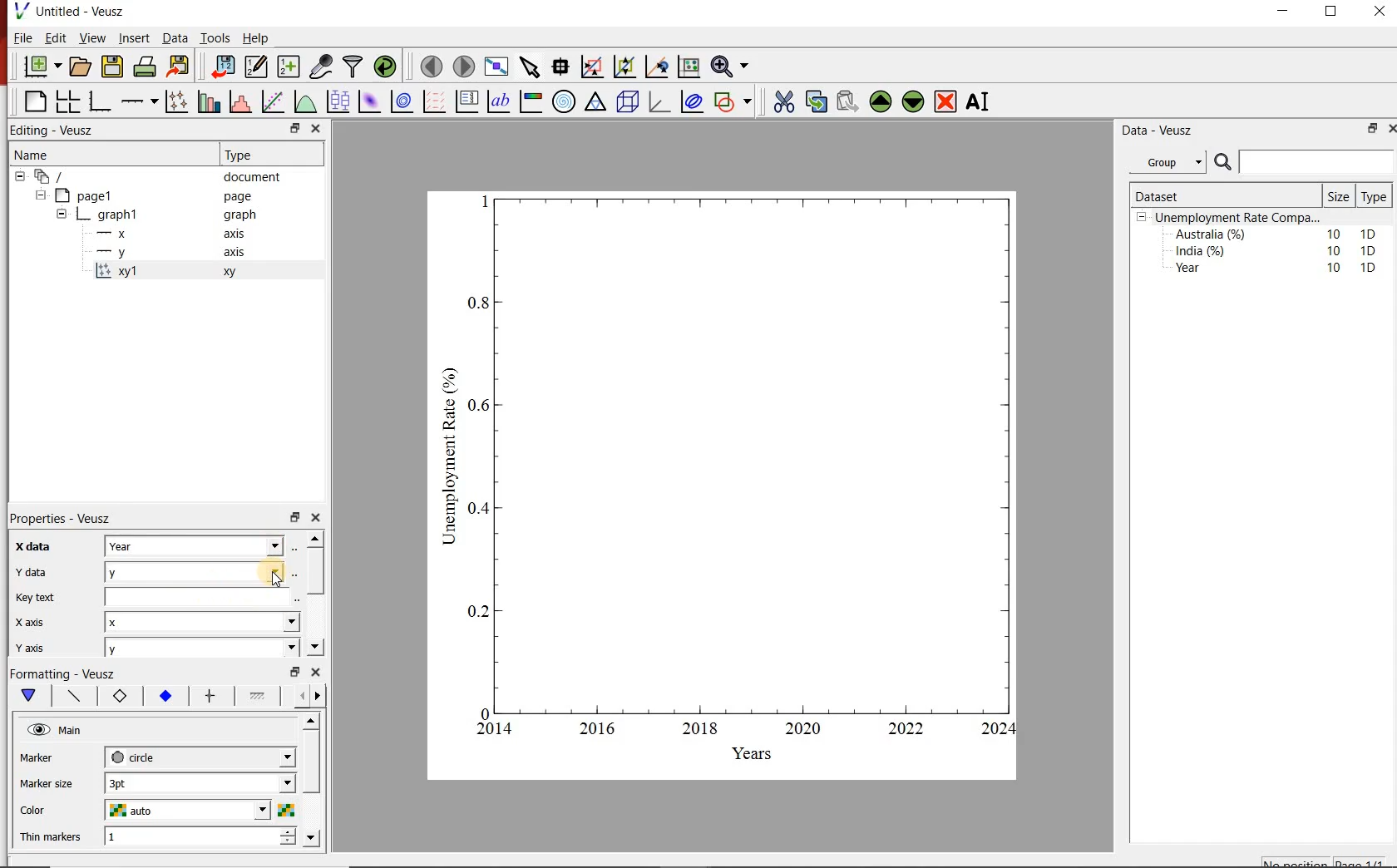 The image size is (1397, 868). Describe the element at coordinates (63, 520) in the screenshot. I see `Properties - Veusz` at that location.